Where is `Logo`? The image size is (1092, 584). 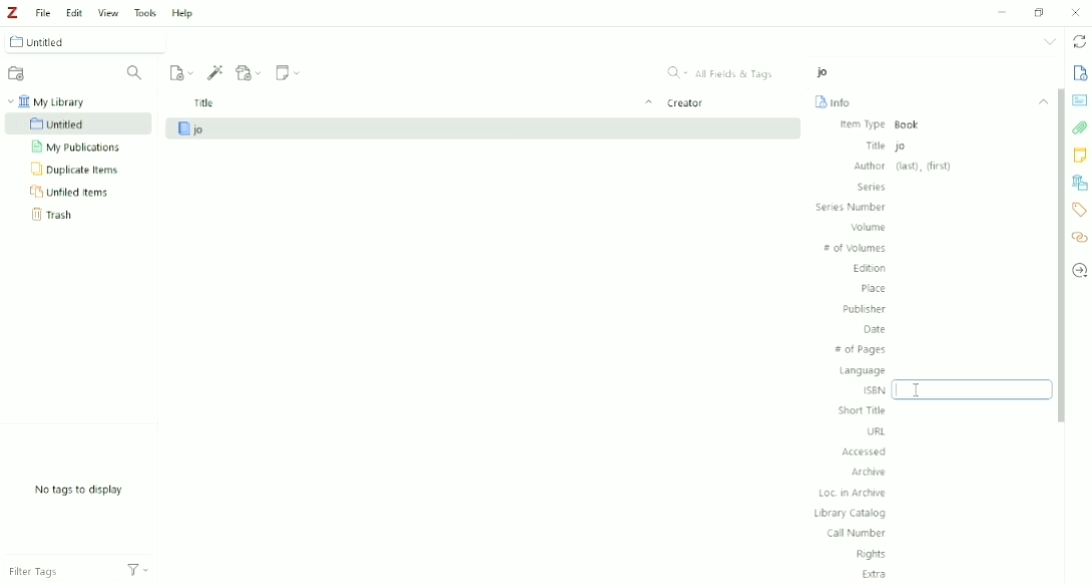
Logo is located at coordinates (12, 12).